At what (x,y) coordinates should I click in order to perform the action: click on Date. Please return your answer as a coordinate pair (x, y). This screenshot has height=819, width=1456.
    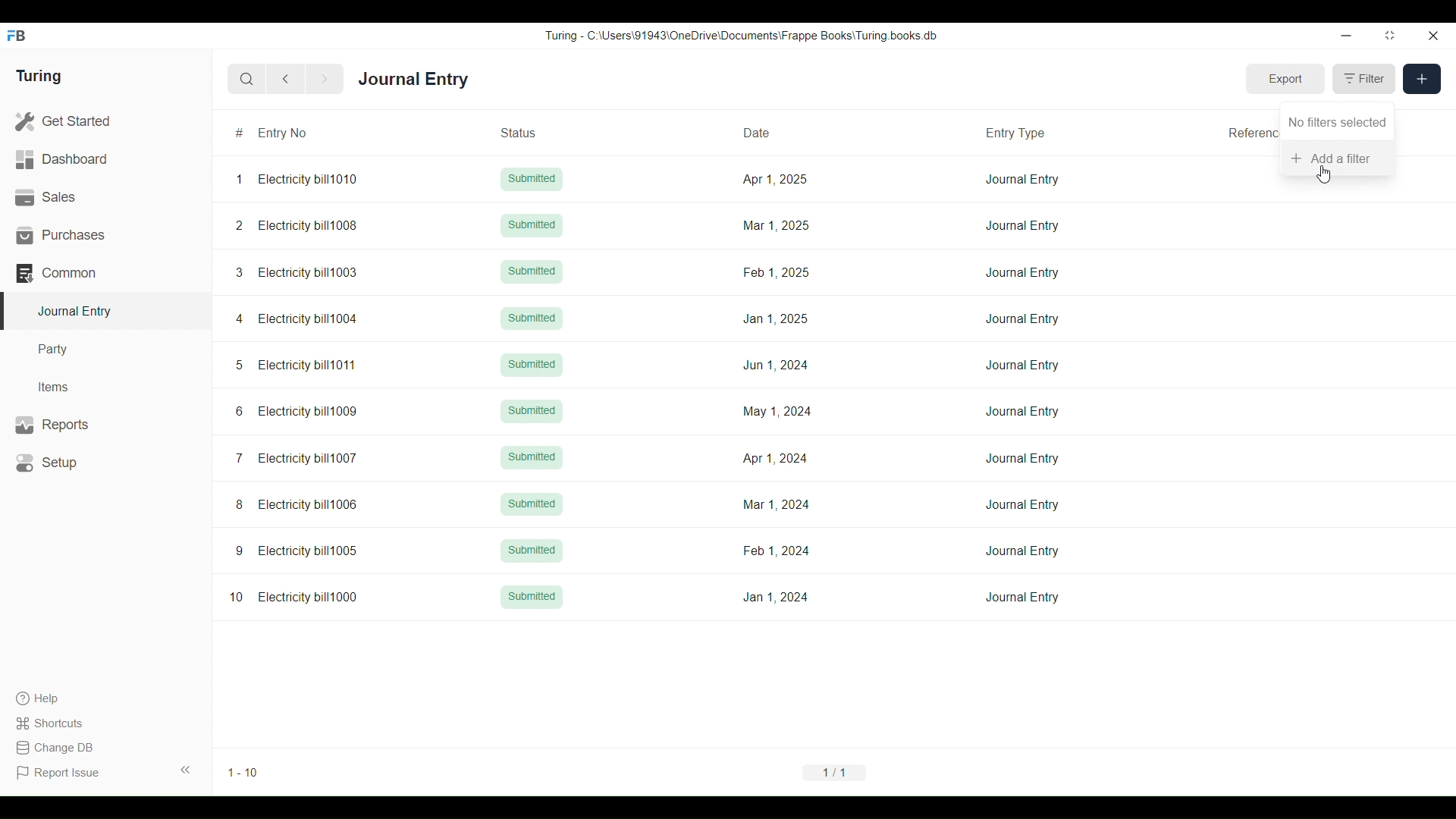
    Looking at the image, I should click on (775, 131).